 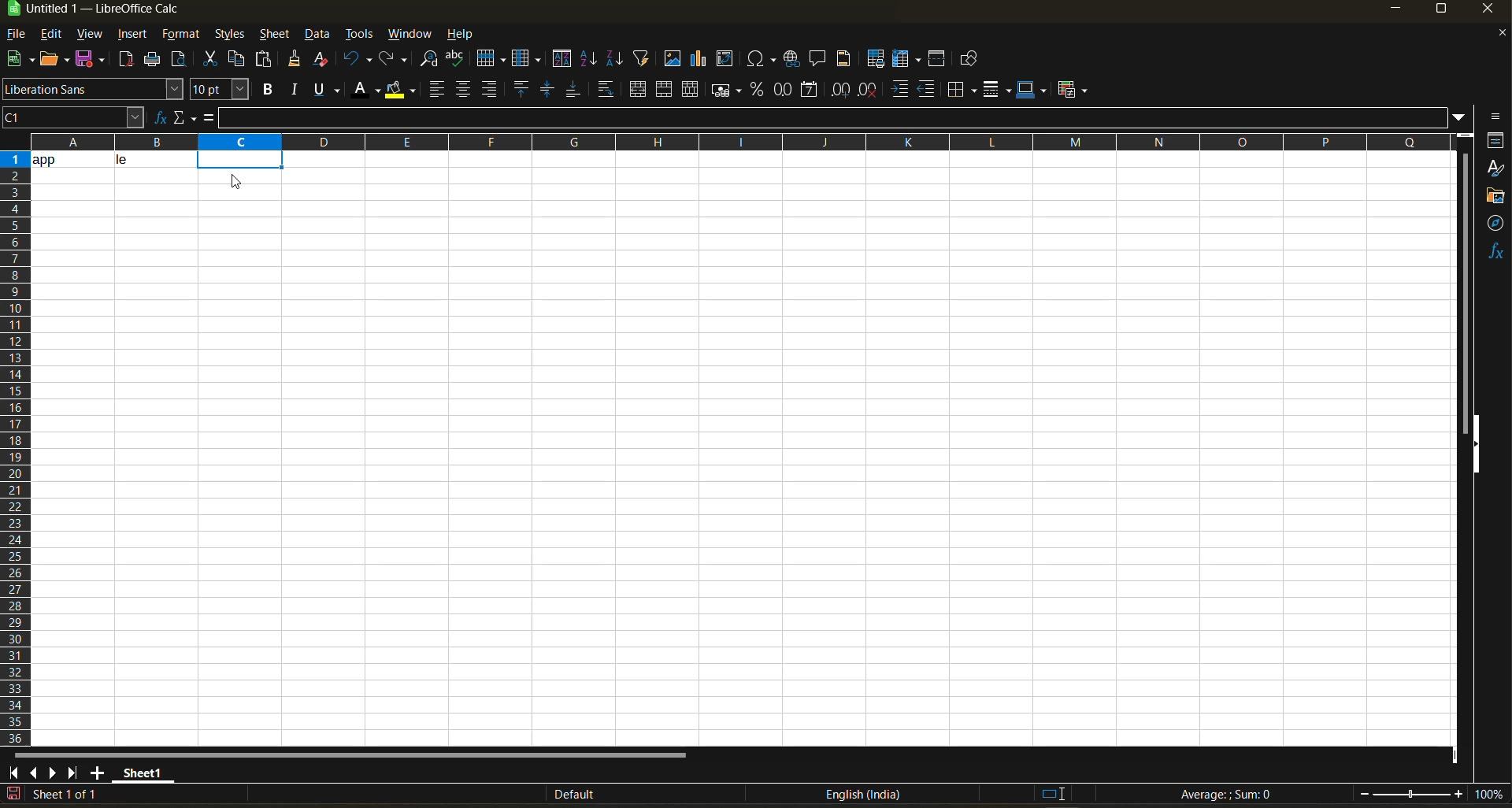 I want to click on clear direct formatting, so click(x=324, y=58).